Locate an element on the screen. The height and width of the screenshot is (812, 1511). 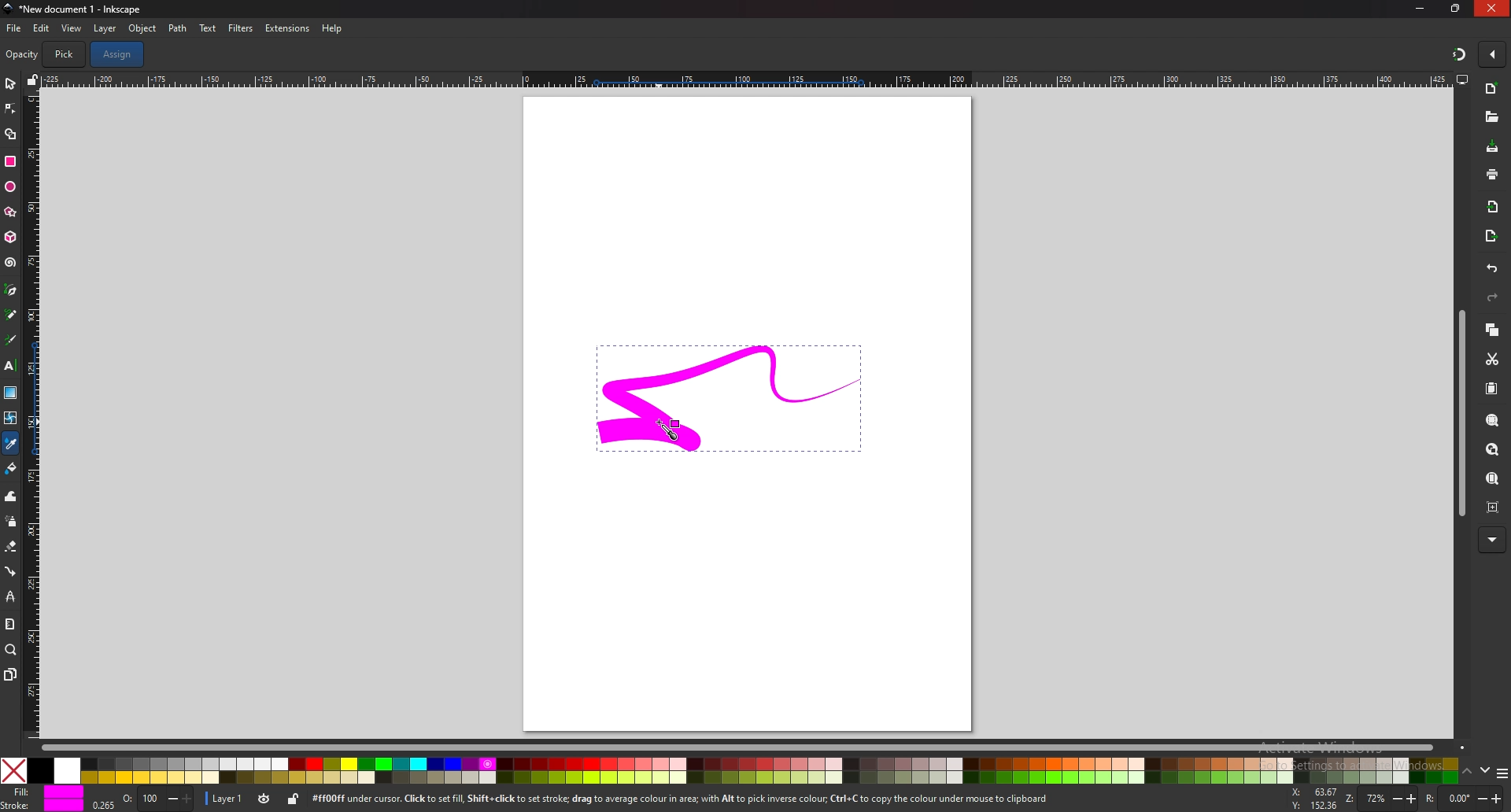
extensions is located at coordinates (289, 28).